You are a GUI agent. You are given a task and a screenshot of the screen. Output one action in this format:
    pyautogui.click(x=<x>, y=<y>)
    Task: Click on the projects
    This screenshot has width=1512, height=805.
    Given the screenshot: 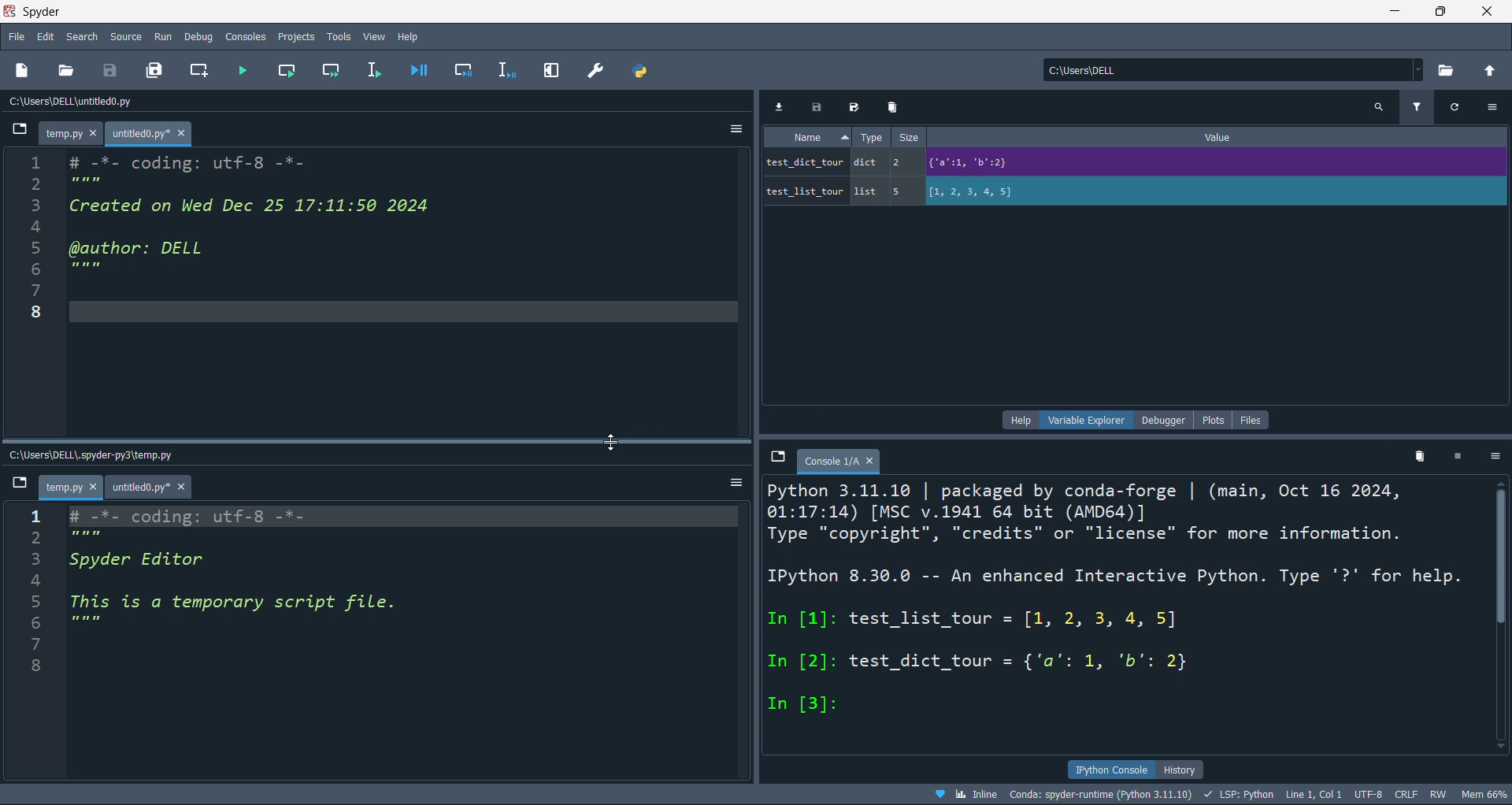 What is the action you would take?
    pyautogui.click(x=293, y=38)
    